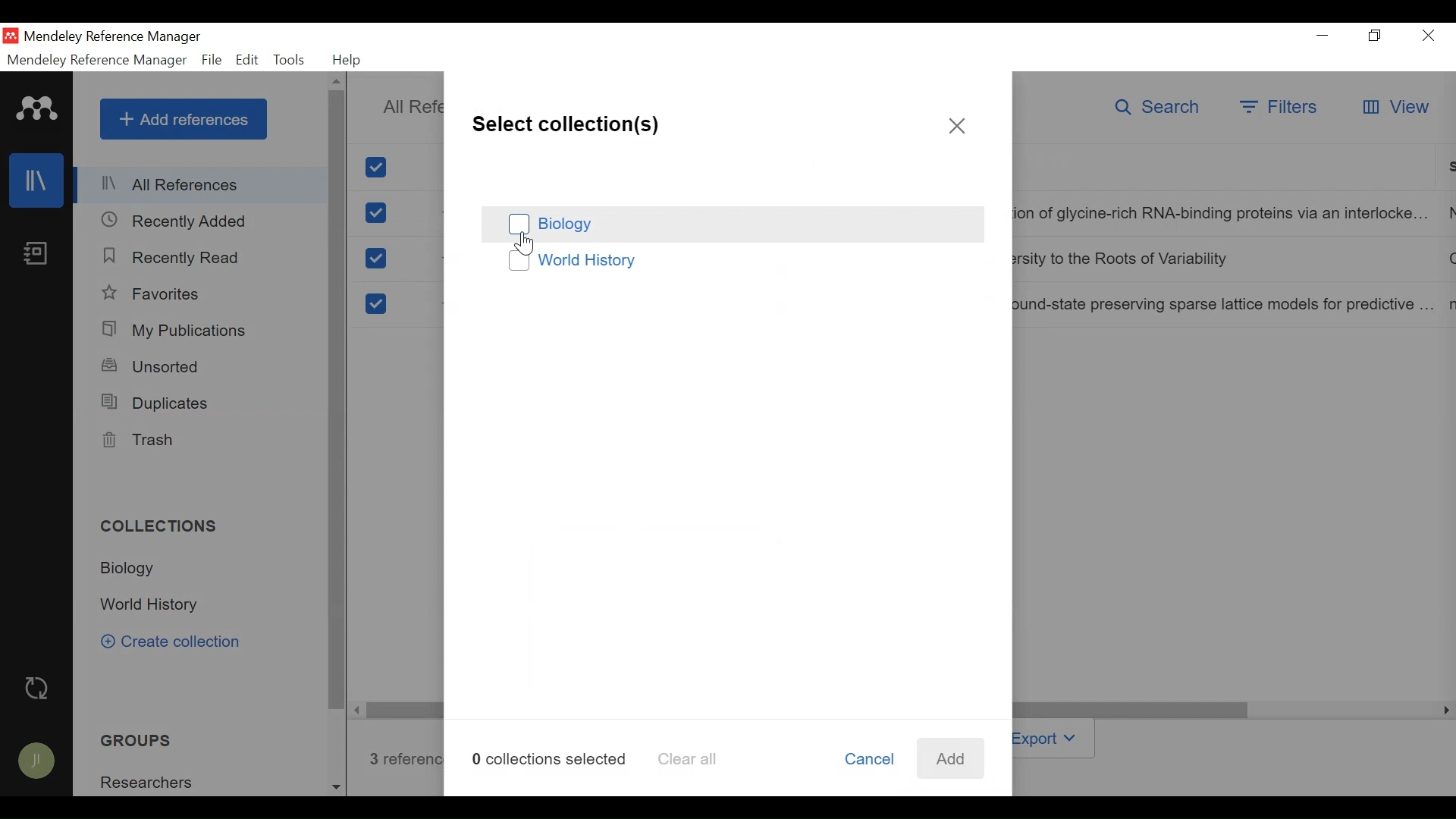 The width and height of the screenshot is (1456, 819). What do you see at coordinates (336, 785) in the screenshot?
I see `Scroll down` at bounding box center [336, 785].